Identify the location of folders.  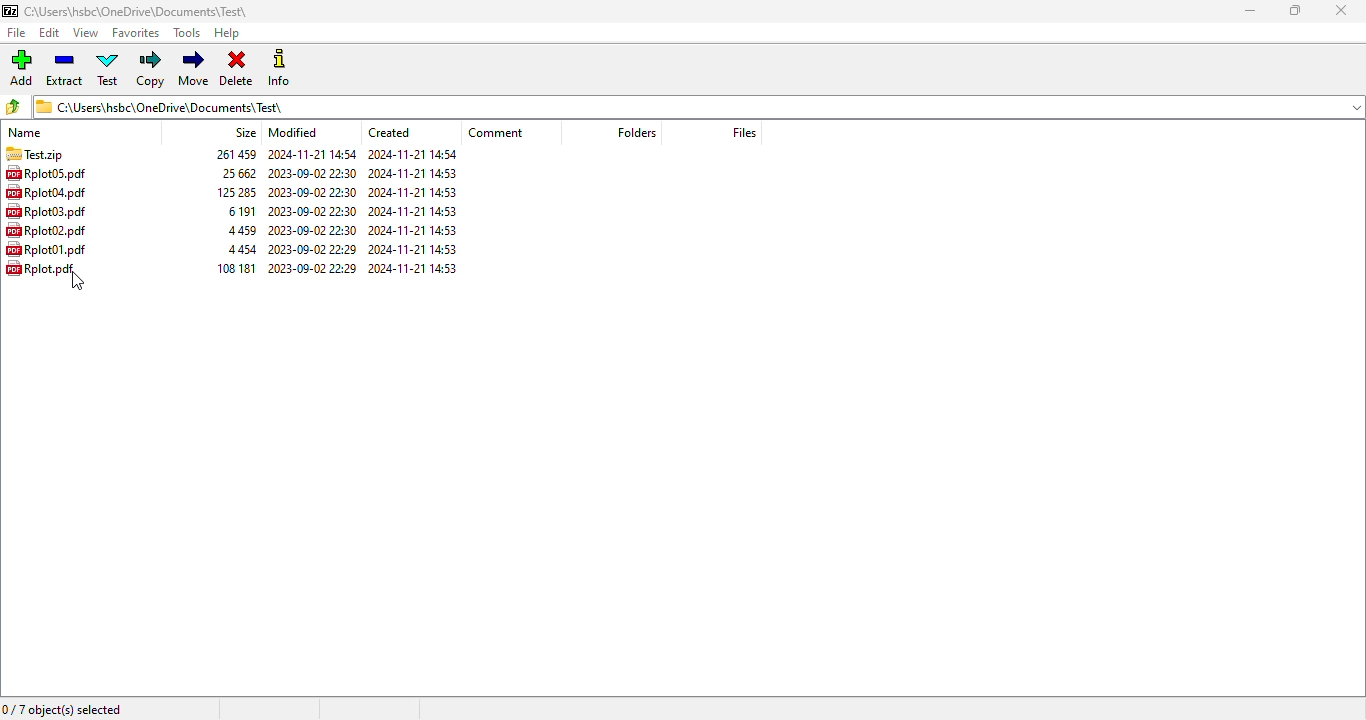
(637, 132).